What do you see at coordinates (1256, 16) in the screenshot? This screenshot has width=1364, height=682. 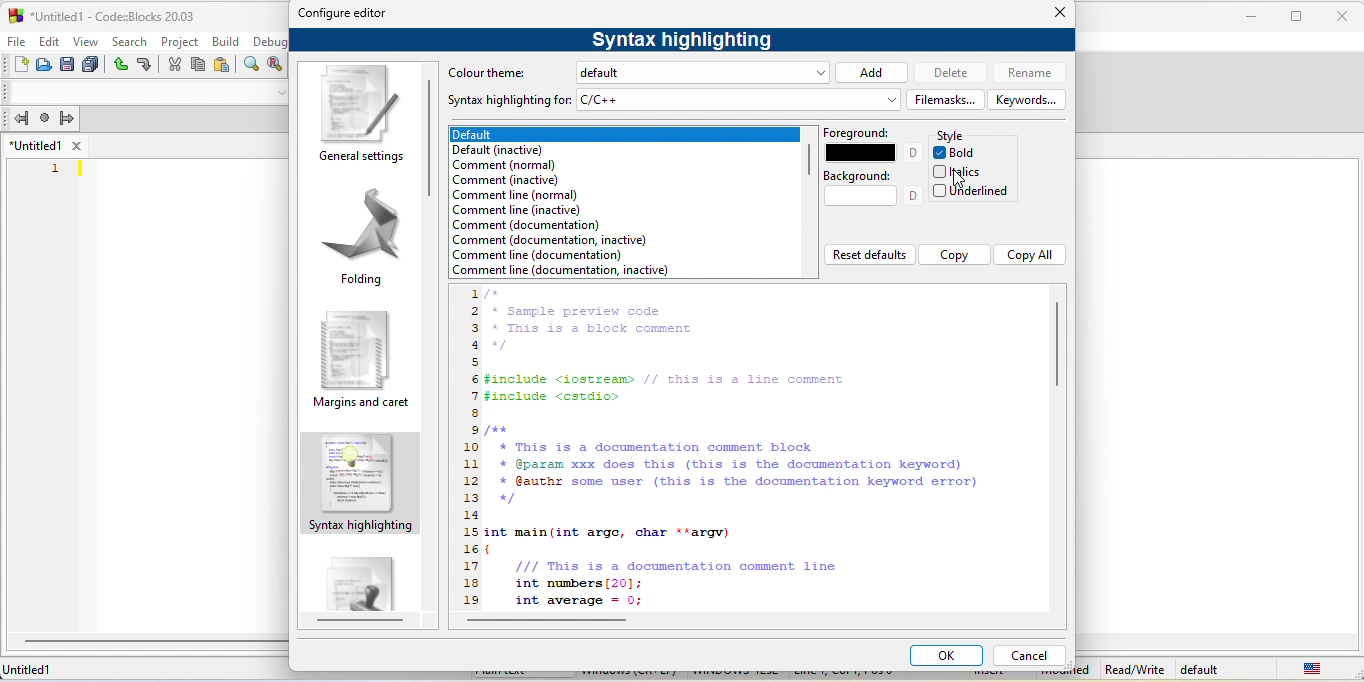 I see `minimize` at bounding box center [1256, 16].